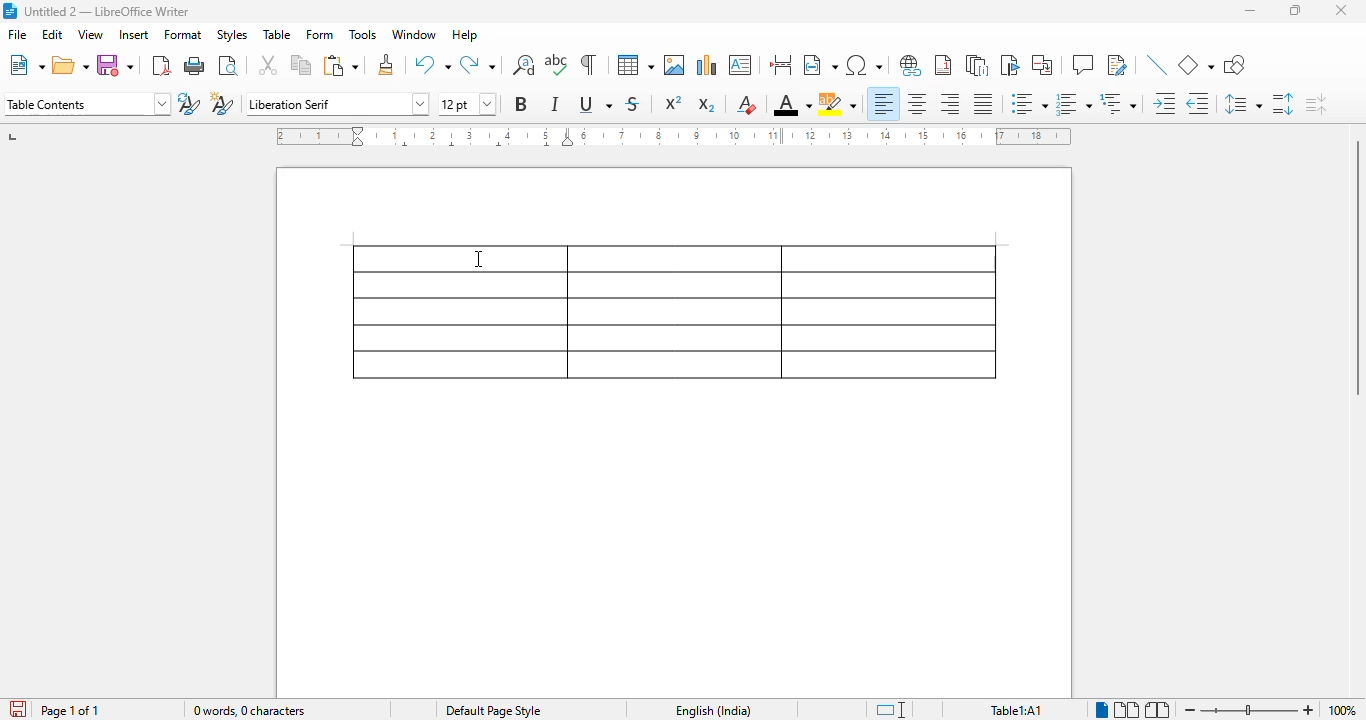 This screenshot has height=720, width=1366. Describe the element at coordinates (1197, 103) in the screenshot. I see `decrease indent` at that location.